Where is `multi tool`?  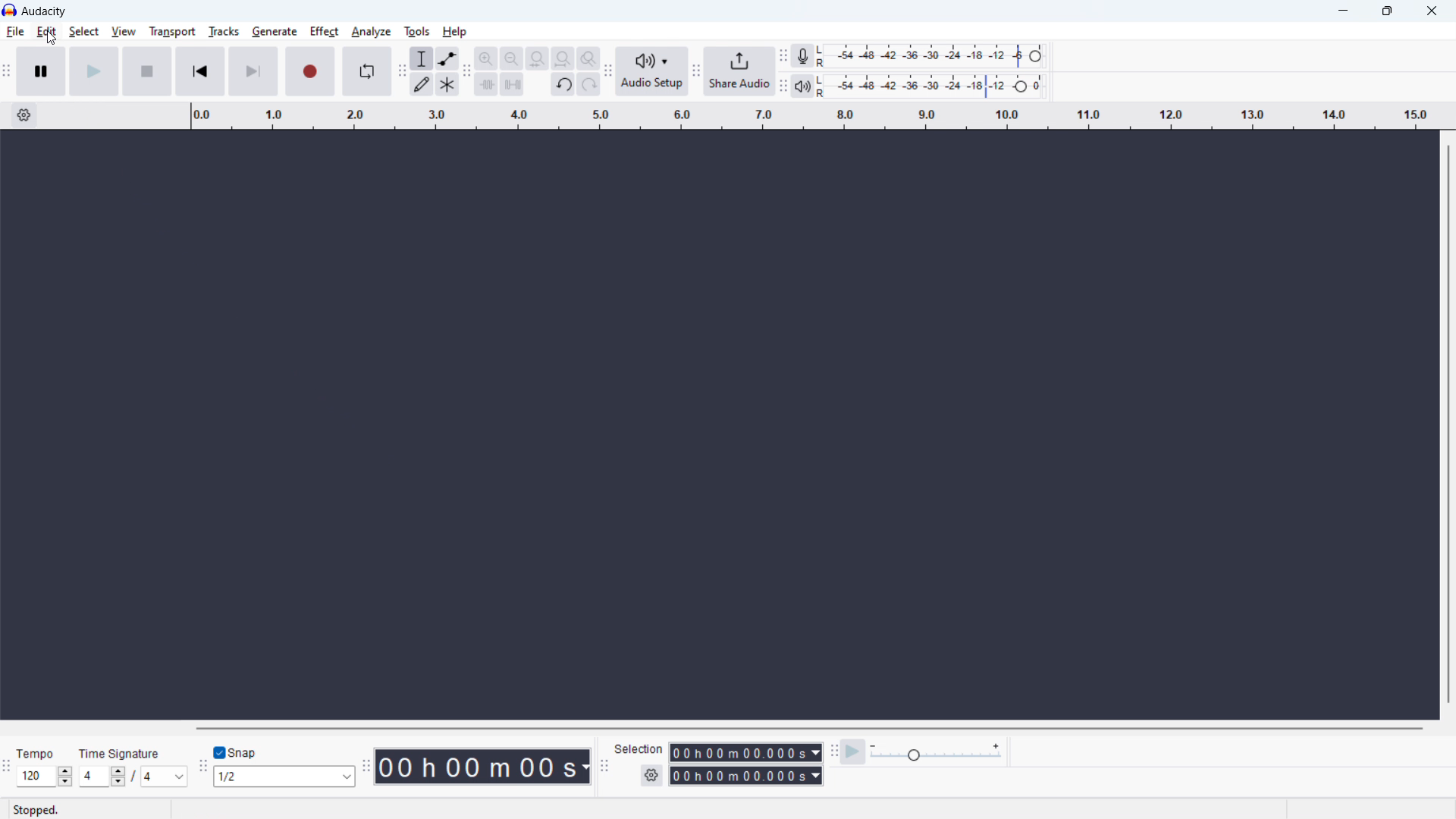
multi tool is located at coordinates (447, 84).